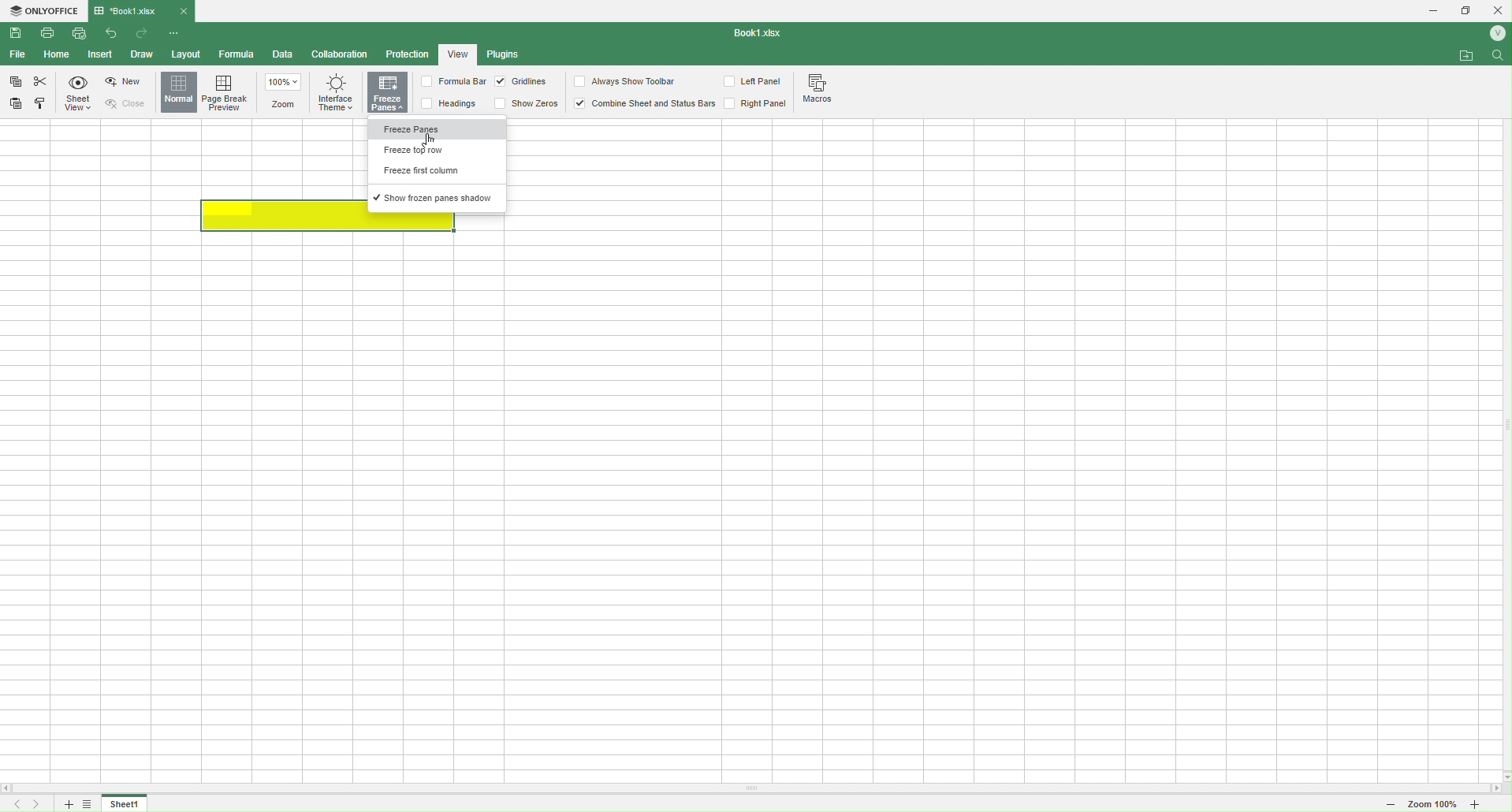 Image resolution: width=1512 pixels, height=812 pixels. I want to click on Always show toolbar, so click(627, 81).